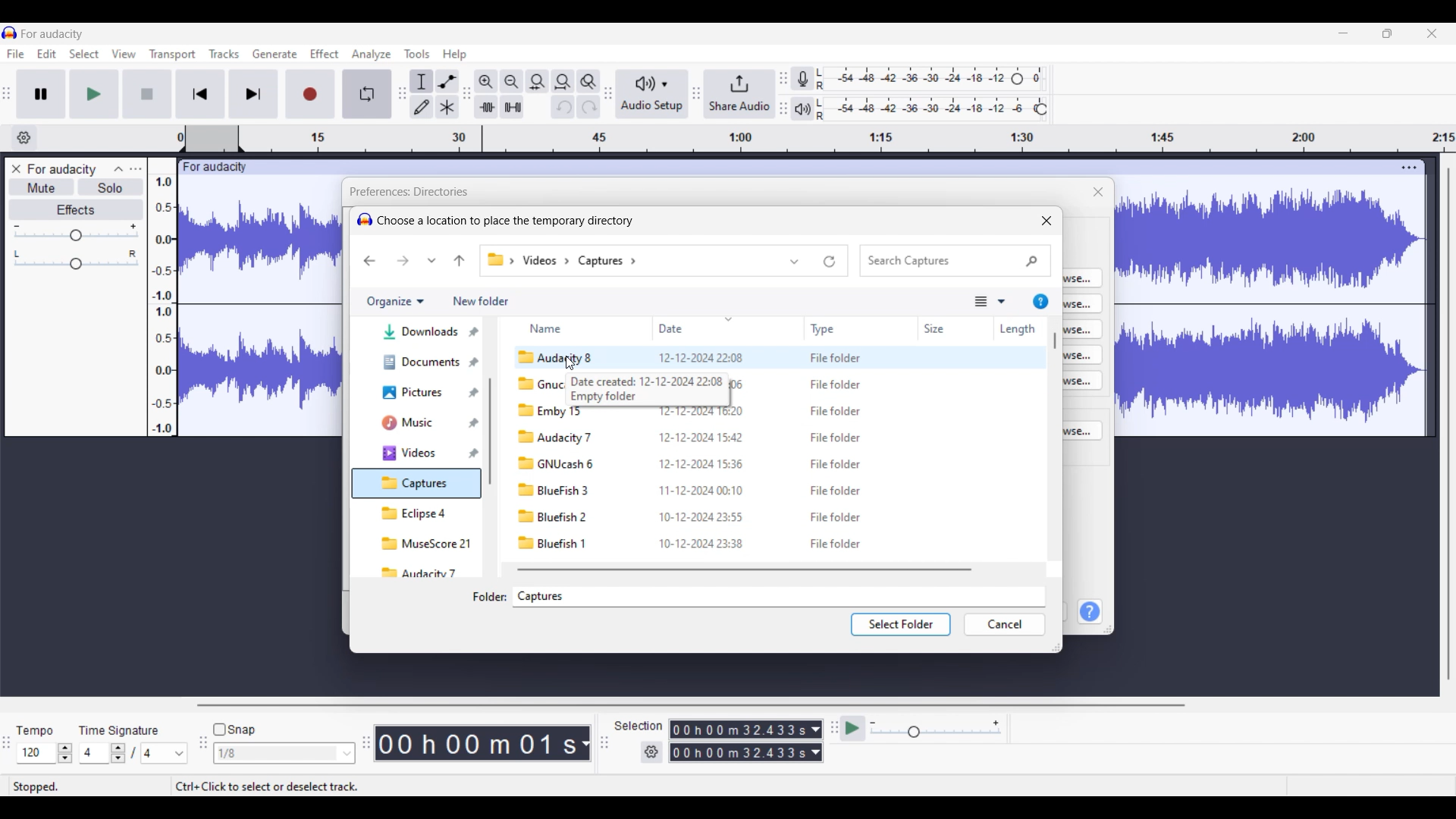  Describe the element at coordinates (61, 170) in the screenshot. I see `Project name` at that location.